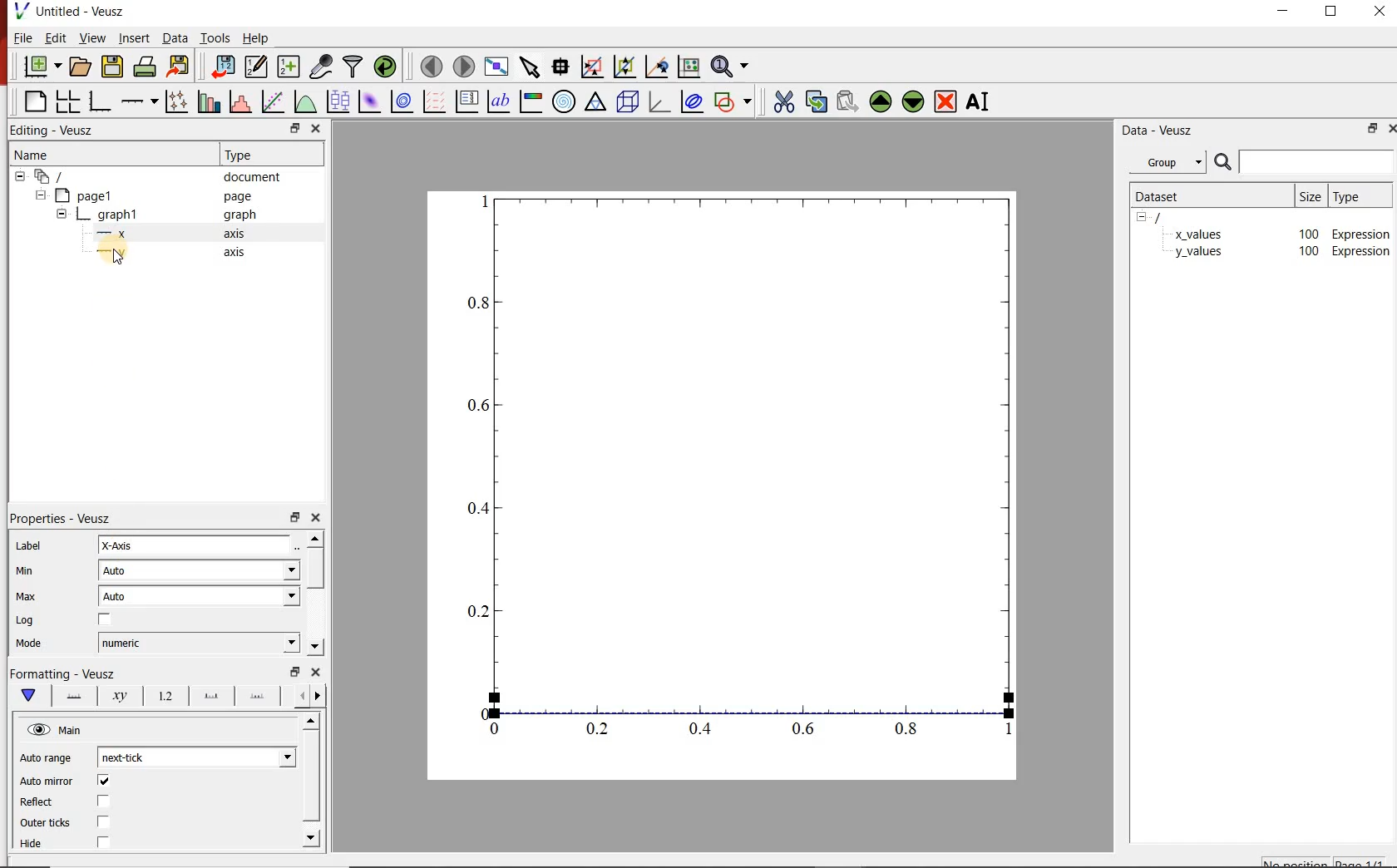 This screenshot has width=1397, height=868. I want to click on add axis on the plot, so click(140, 101).